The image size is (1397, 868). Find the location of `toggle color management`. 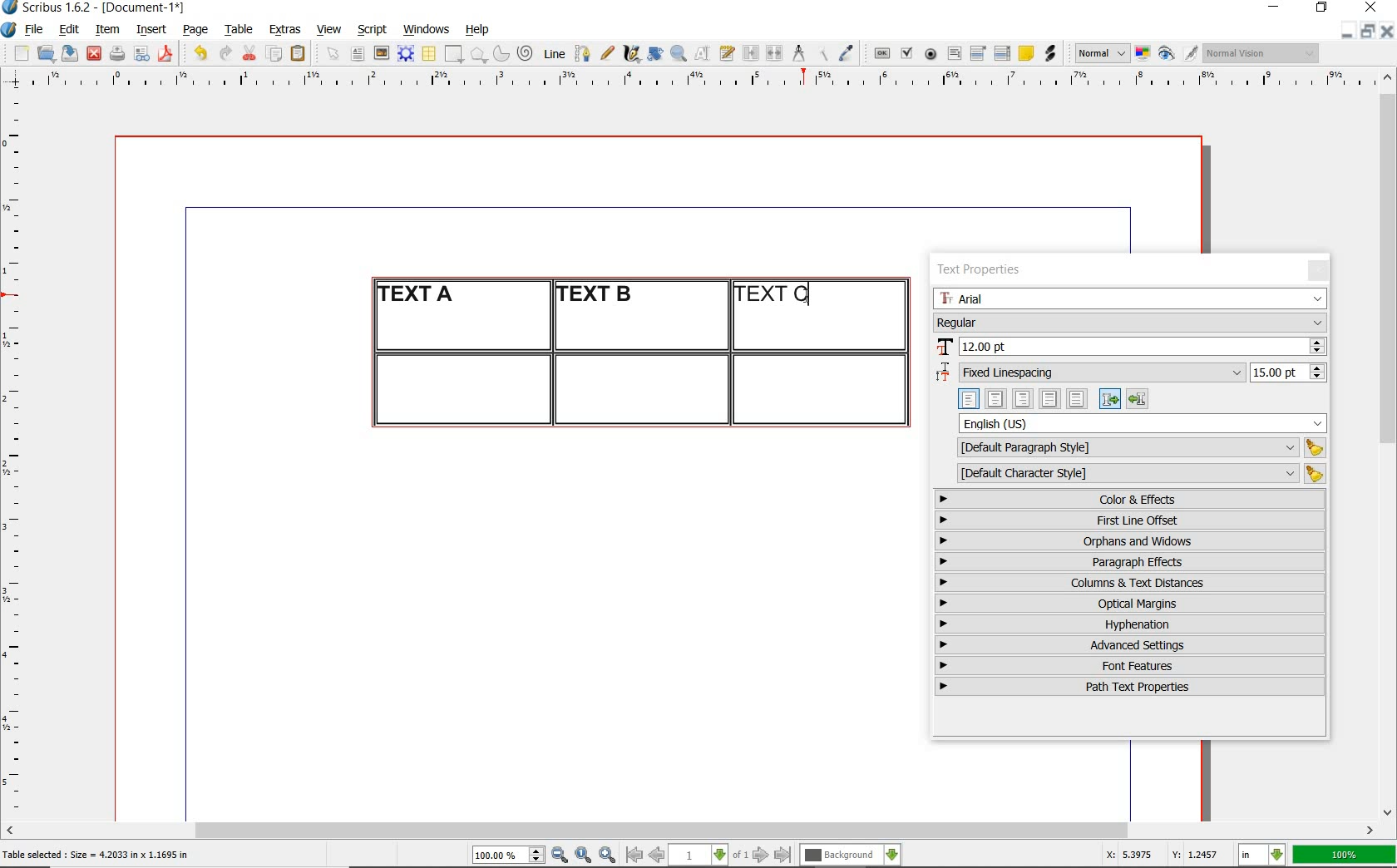

toggle color management is located at coordinates (1144, 55).